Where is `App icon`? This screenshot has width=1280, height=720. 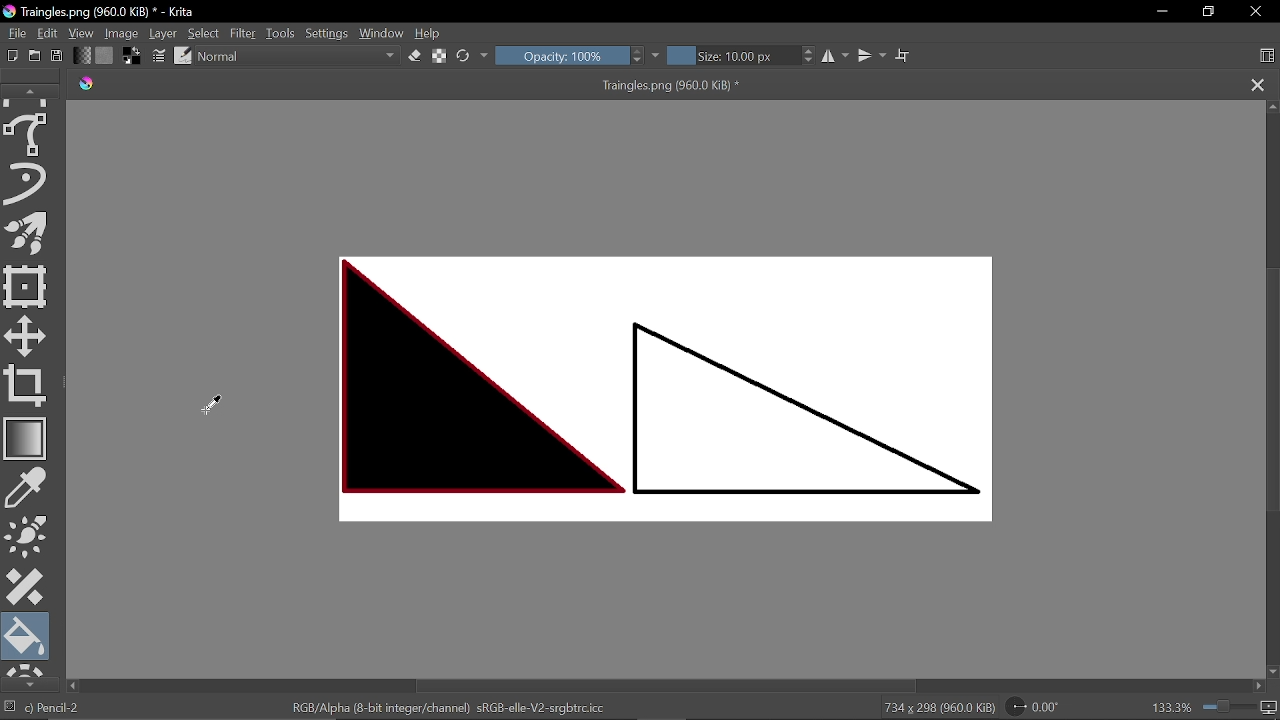 App icon is located at coordinates (10, 12).